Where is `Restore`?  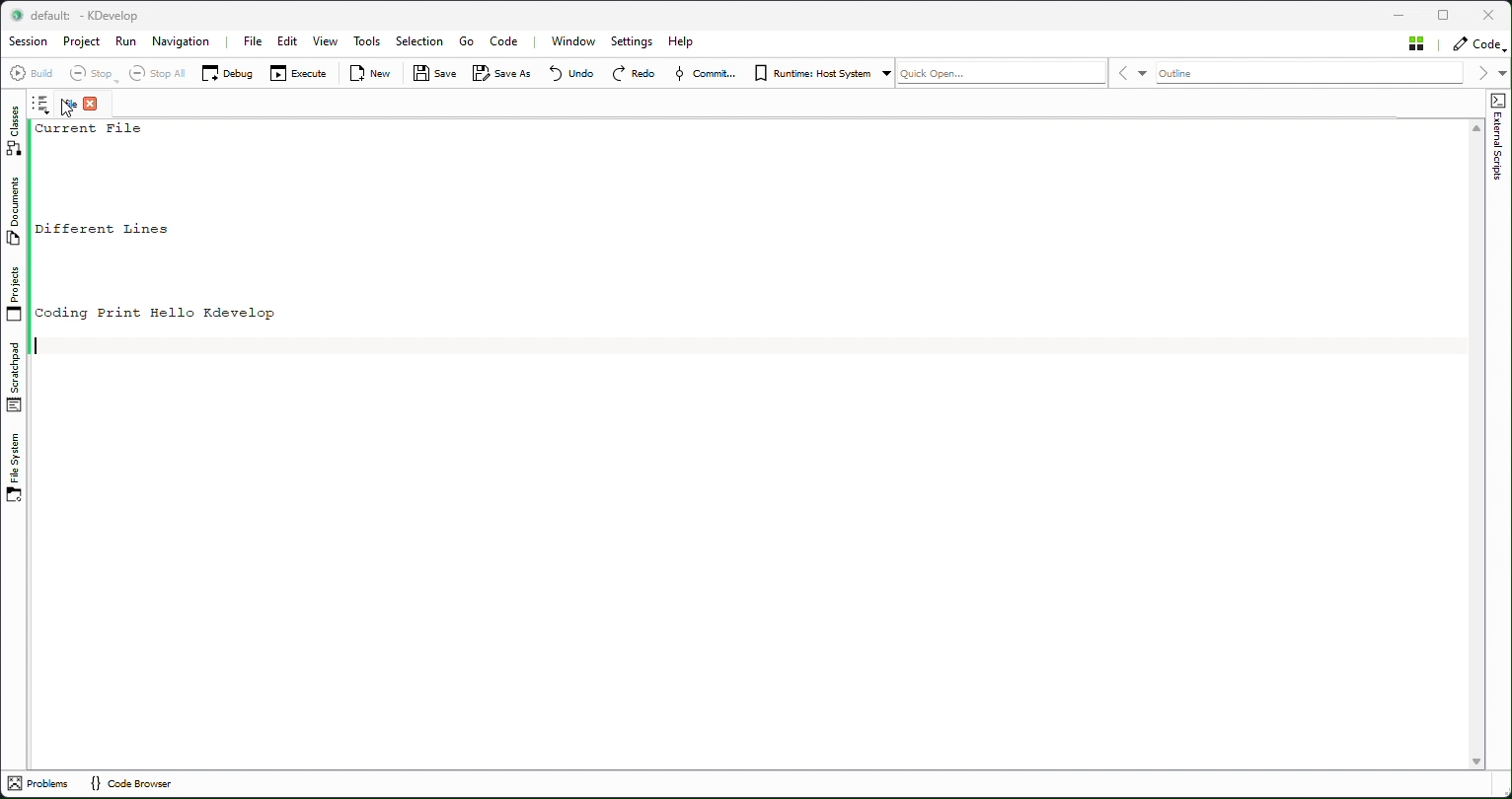 Restore is located at coordinates (1447, 14).